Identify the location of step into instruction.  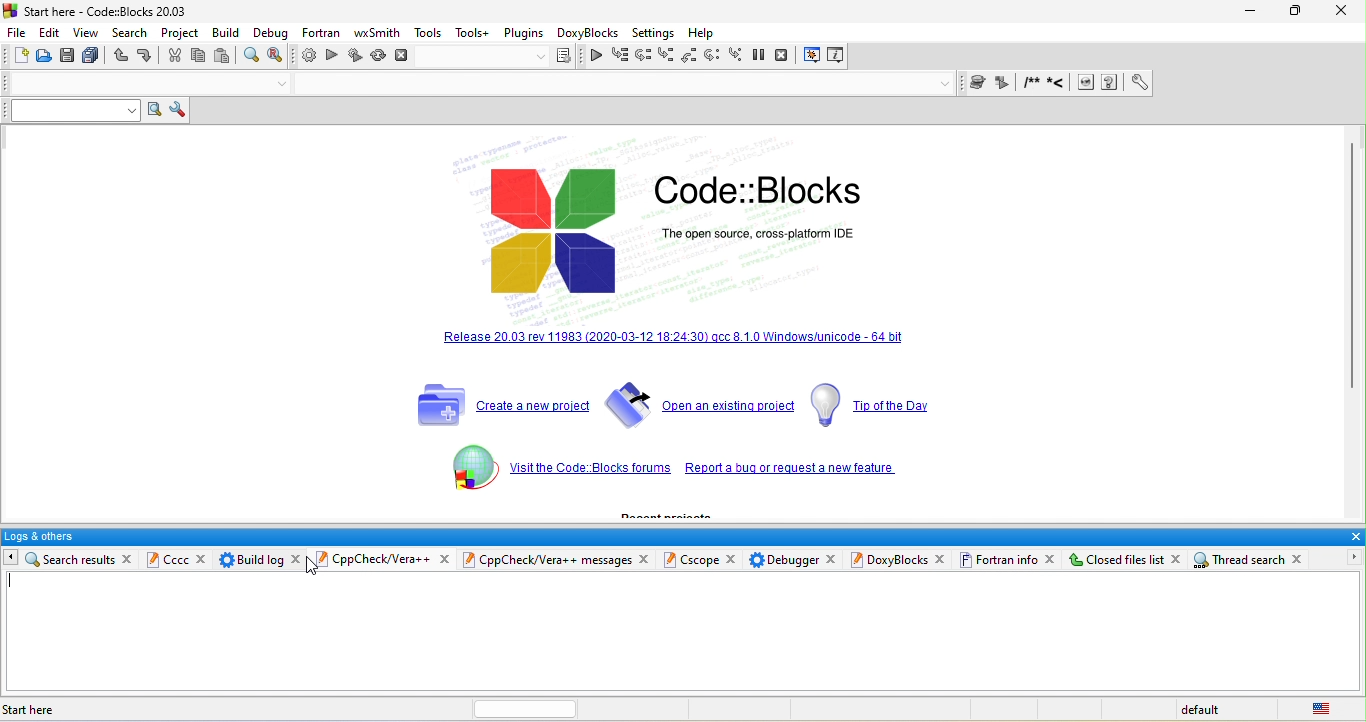
(736, 57).